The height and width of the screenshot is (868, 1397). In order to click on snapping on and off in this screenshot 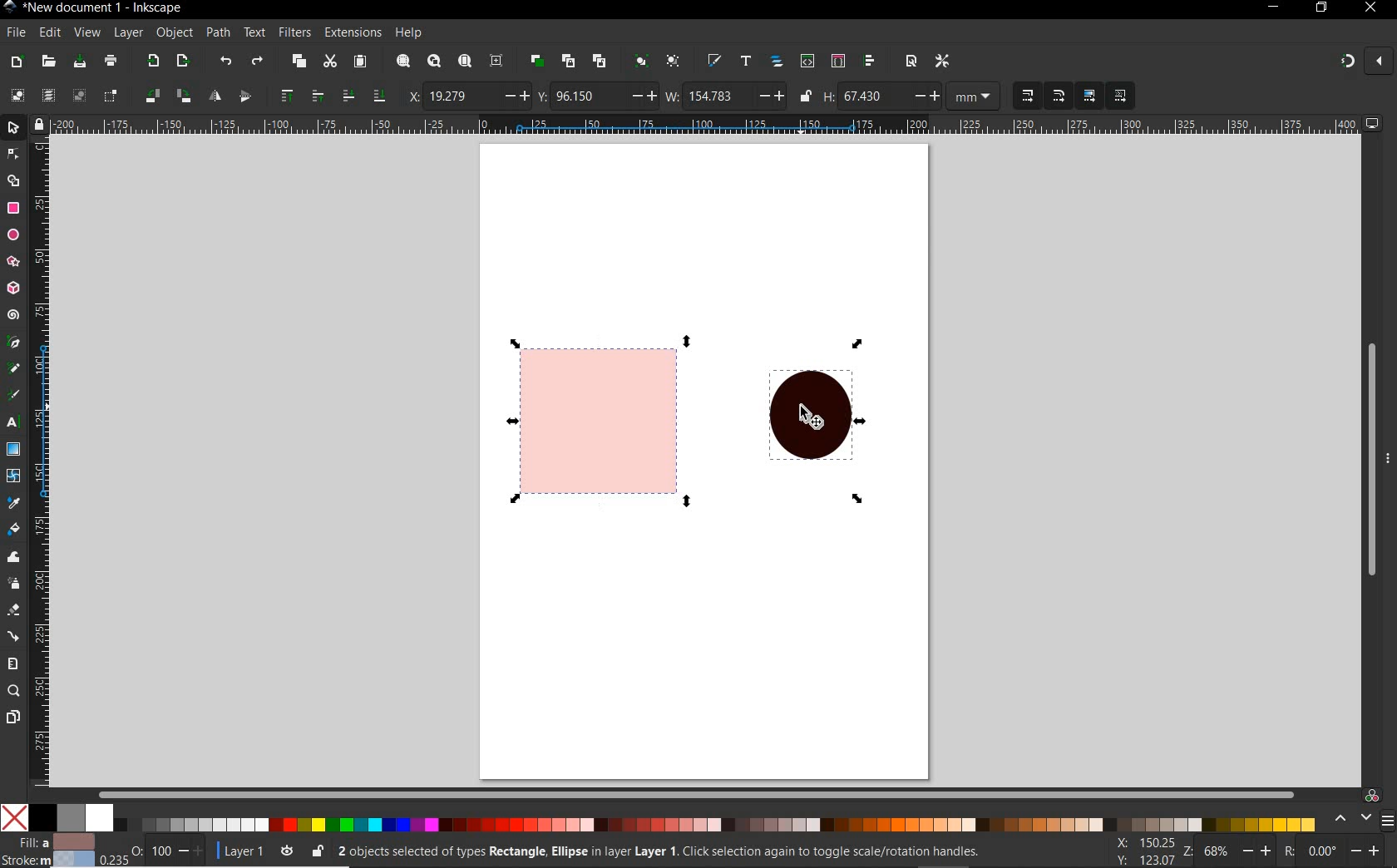, I will do `click(1365, 60)`.